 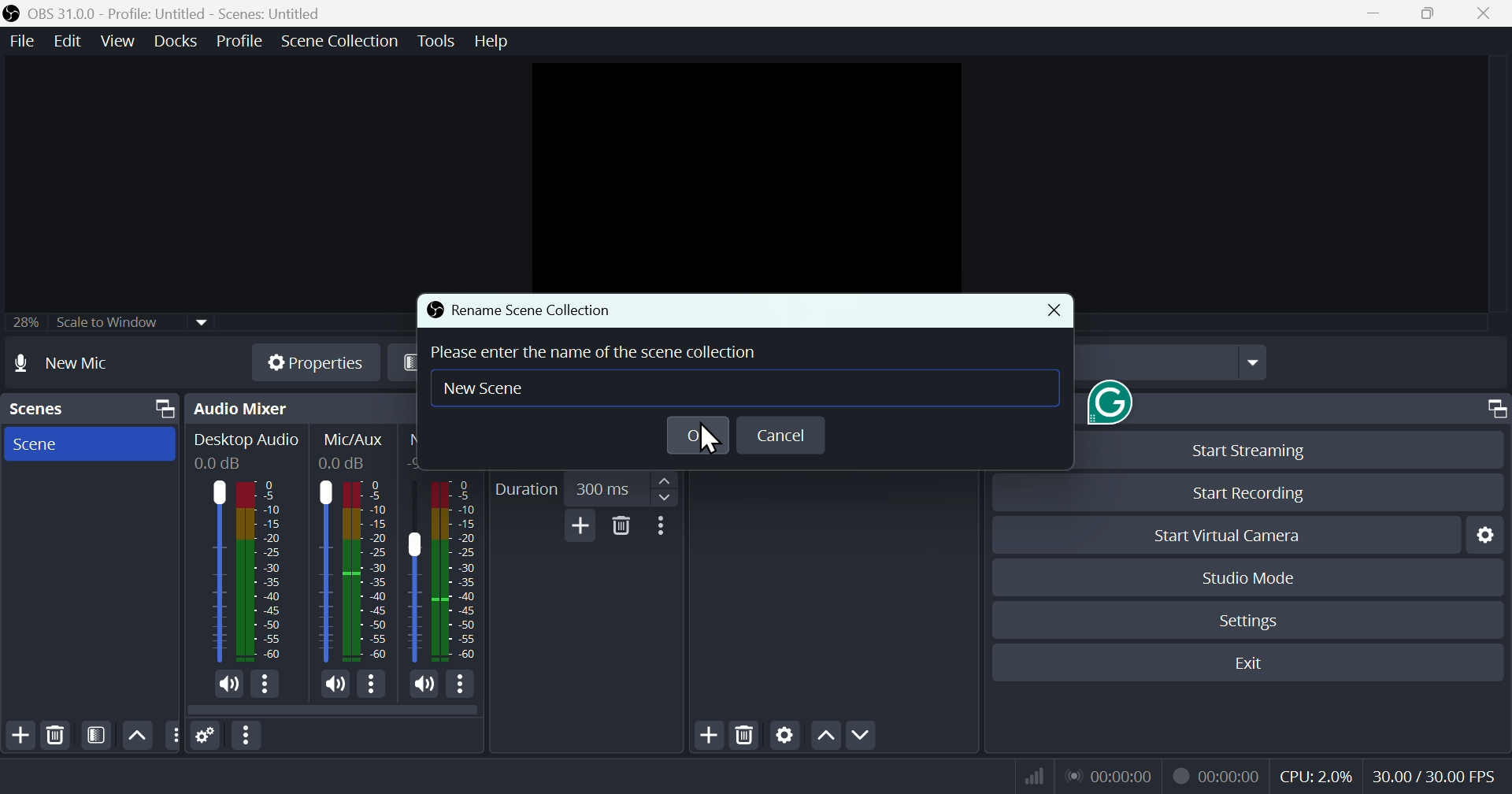 What do you see at coordinates (1036, 774) in the screenshot?
I see `Bitrate` at bounding box center [1036, 774].